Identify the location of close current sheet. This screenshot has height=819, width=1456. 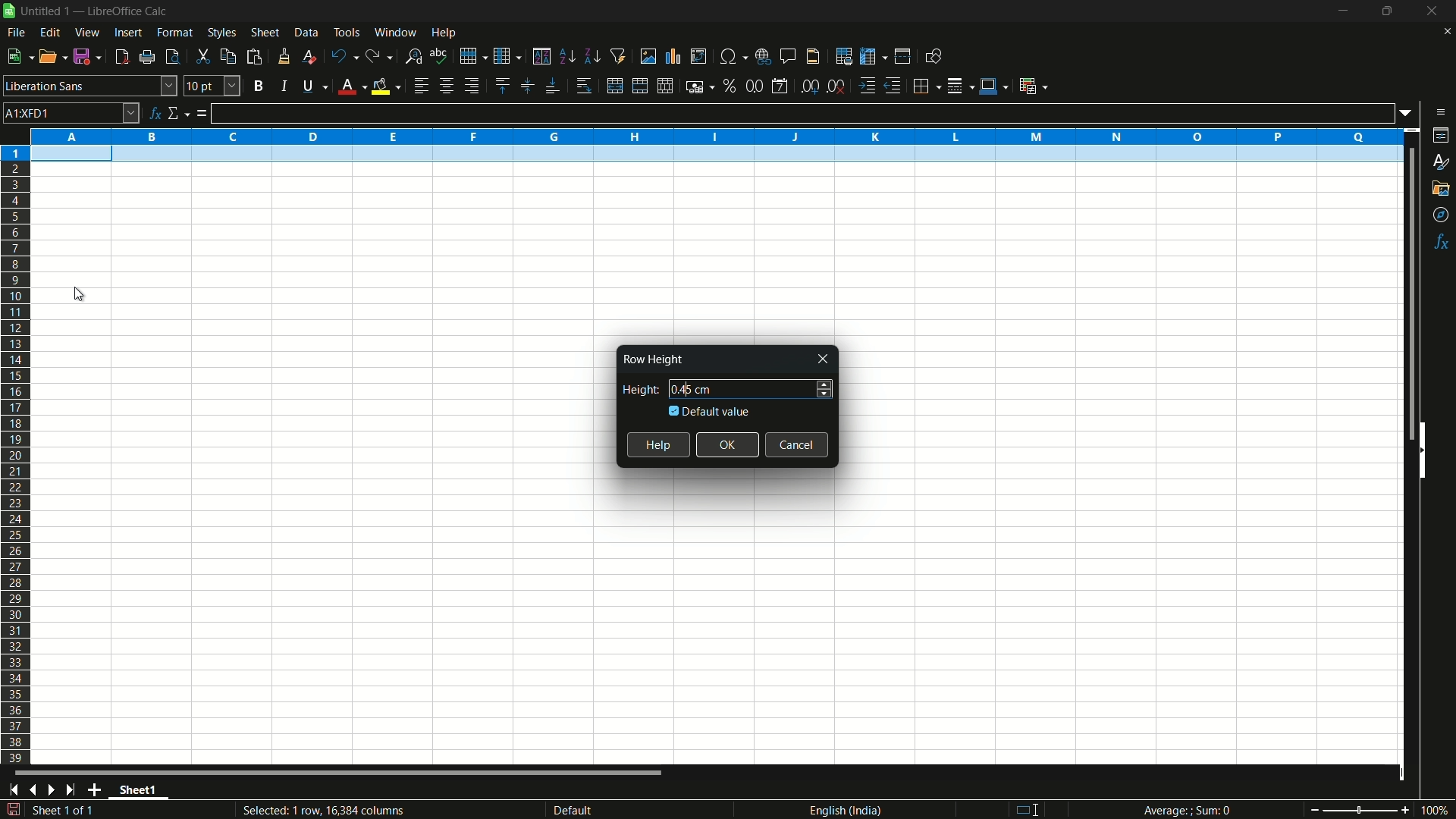
(1445, 35).